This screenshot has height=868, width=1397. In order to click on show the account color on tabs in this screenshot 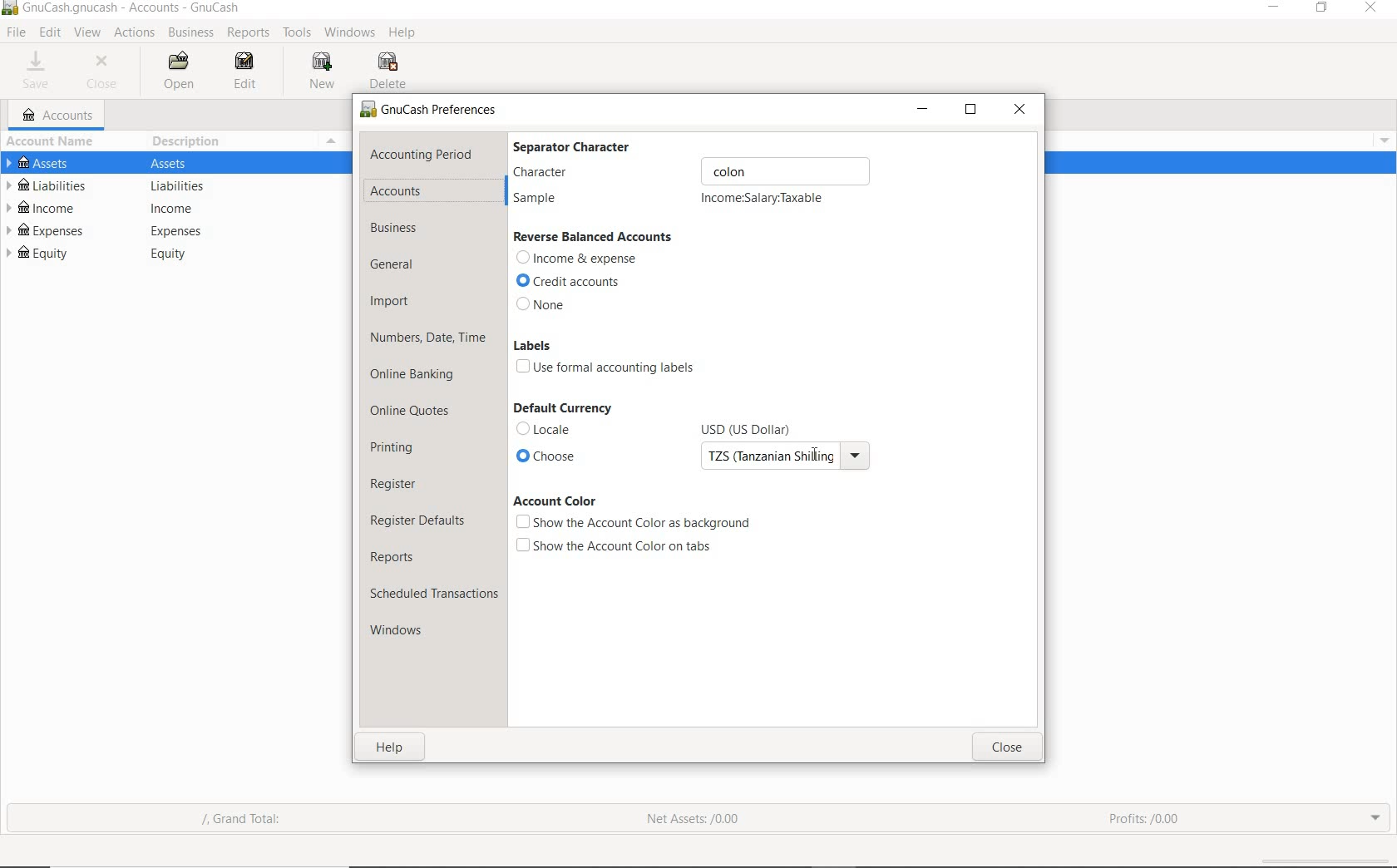, I will do `click(616, 545)`.